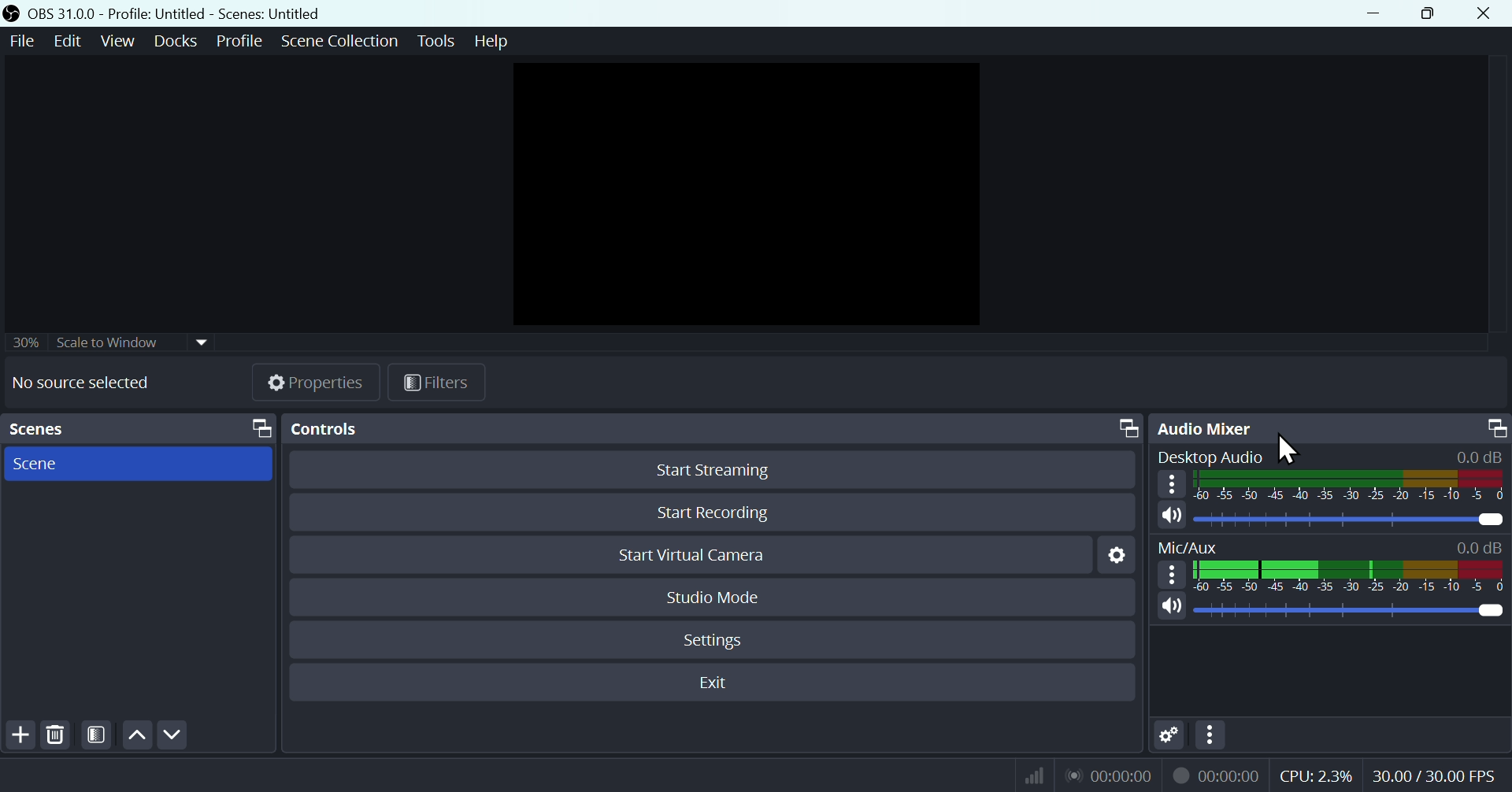  What do you see at coordinates (1349, 612) in the screenshot?
I see `Mic/Aux` at bounding box center [1349, 612].